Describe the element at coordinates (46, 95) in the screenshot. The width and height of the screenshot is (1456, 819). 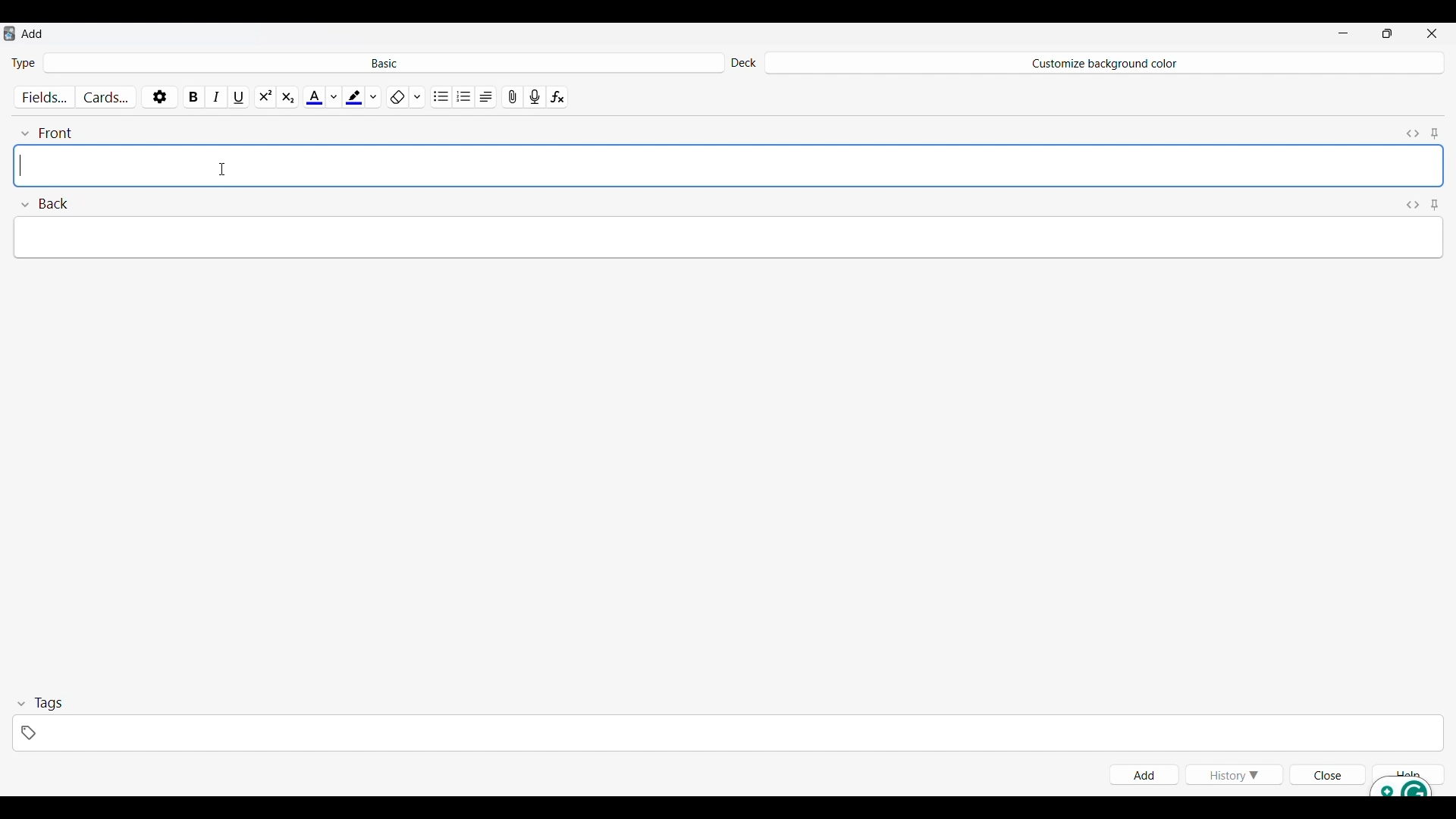
I see `Customize fields` at that location.